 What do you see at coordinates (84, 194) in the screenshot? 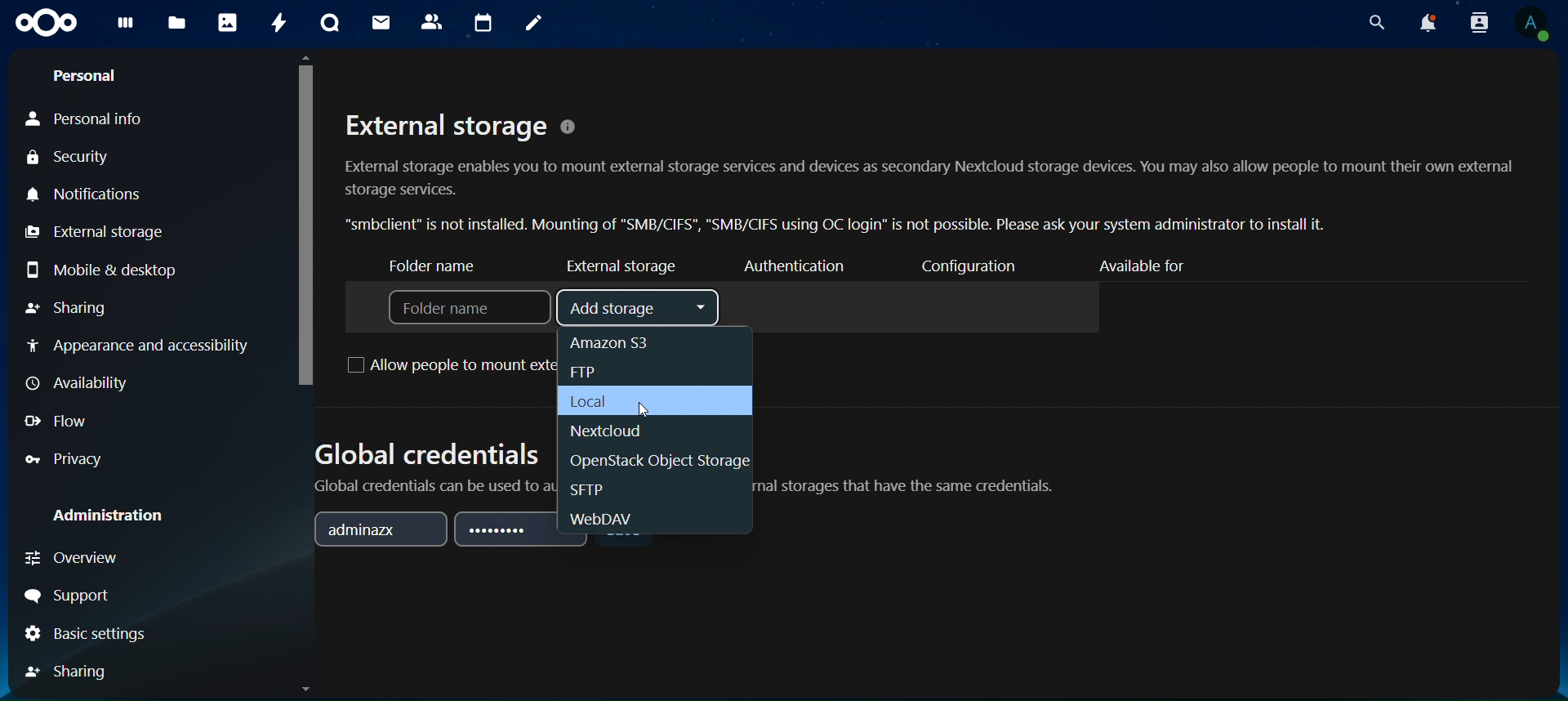
I see `notifications` at bounding box center [84, 194].